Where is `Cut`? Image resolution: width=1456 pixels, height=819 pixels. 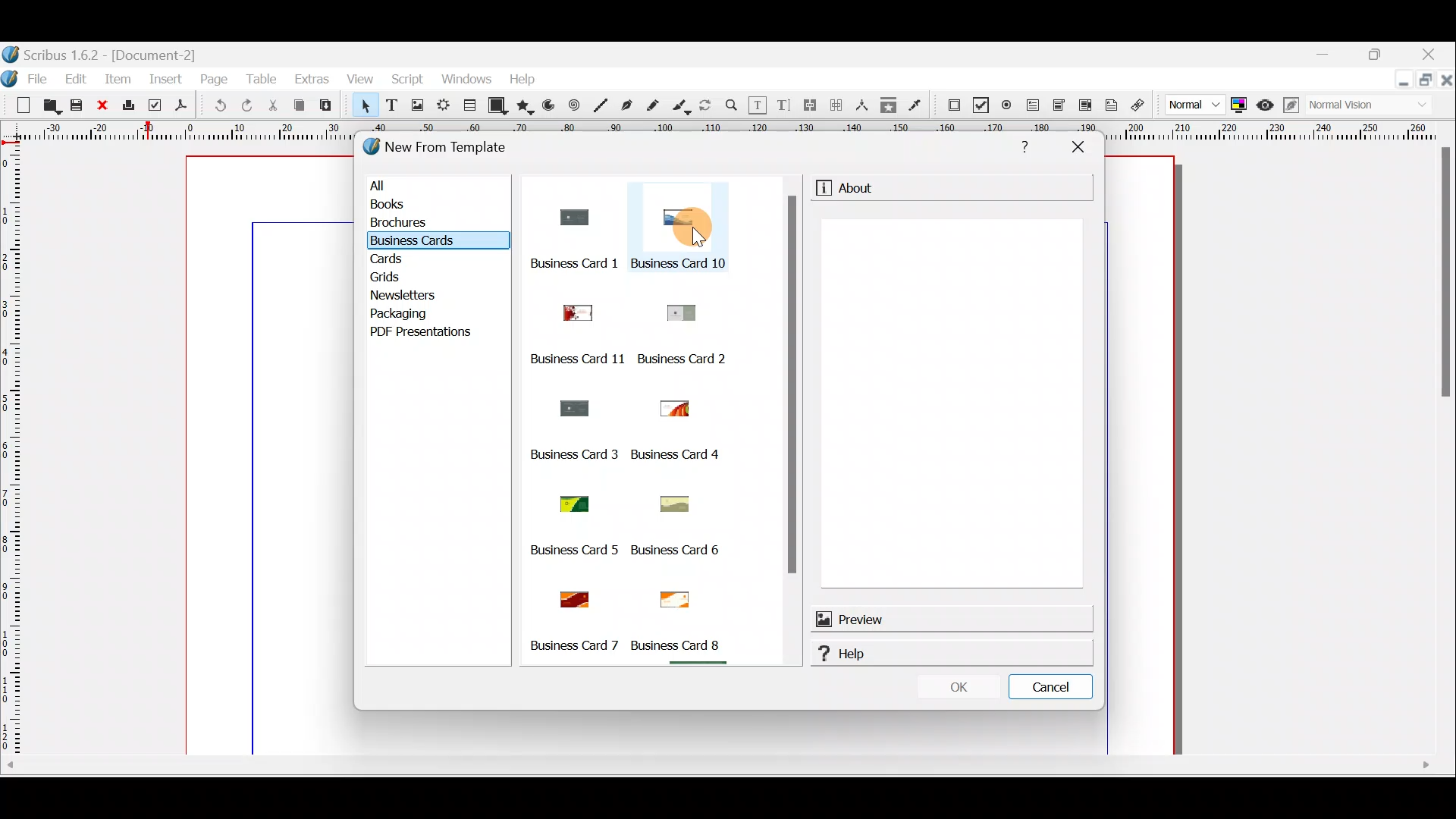
Cut is located at coordinates (274, 106).